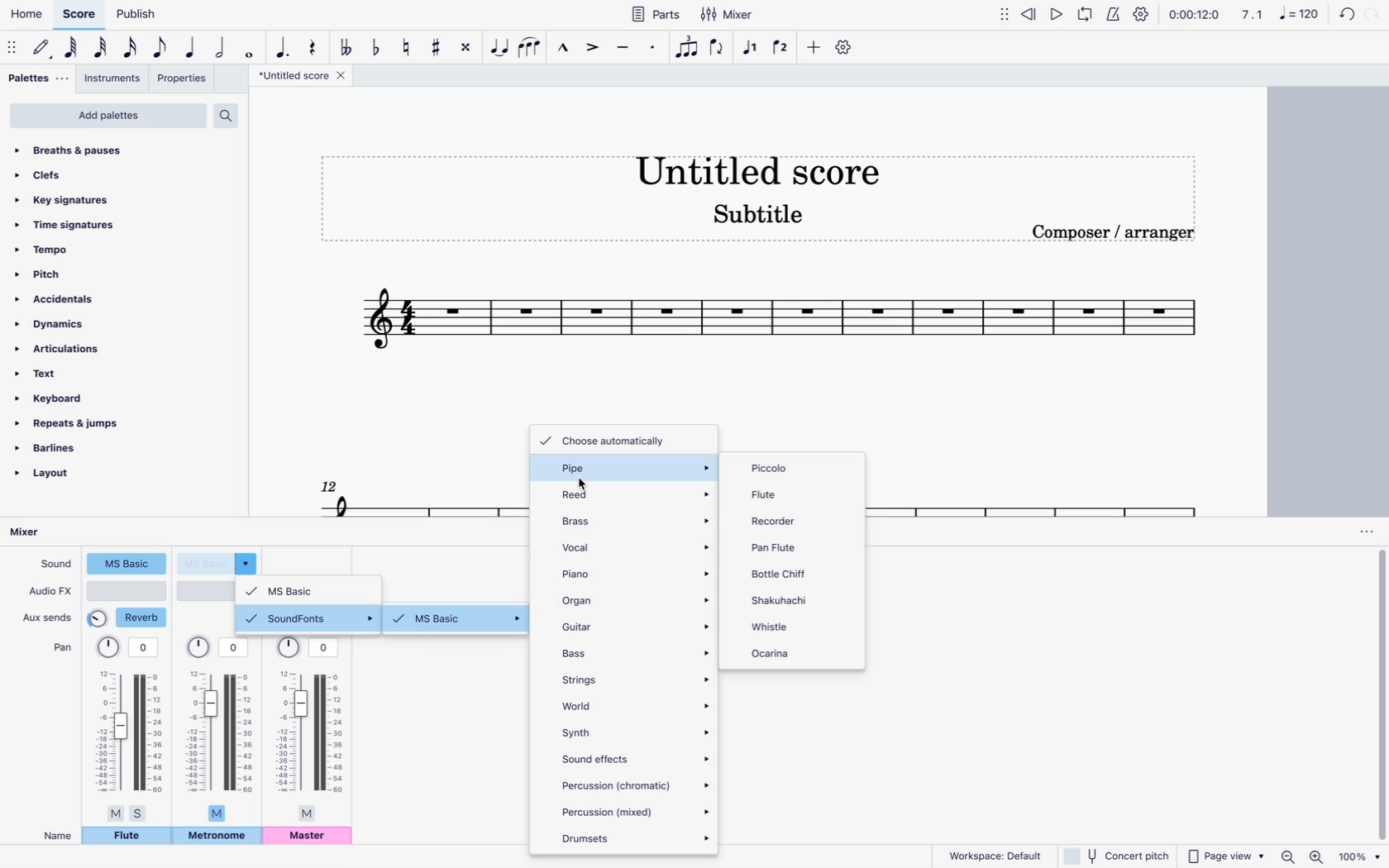  Describe the element at coordinates (1116, 14) in the screenshot. I see `metronome` at that location.